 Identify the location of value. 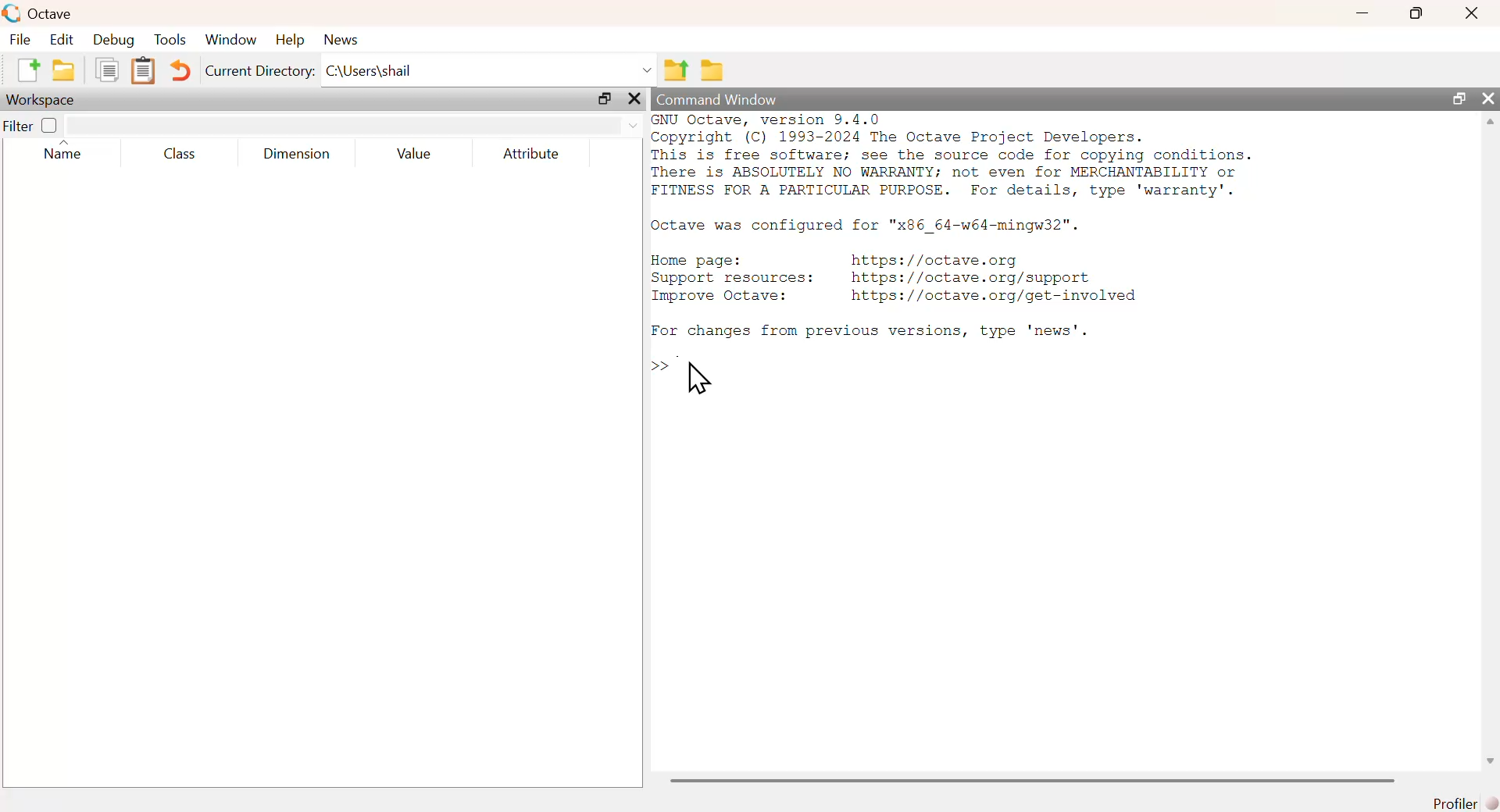
(414, 155).